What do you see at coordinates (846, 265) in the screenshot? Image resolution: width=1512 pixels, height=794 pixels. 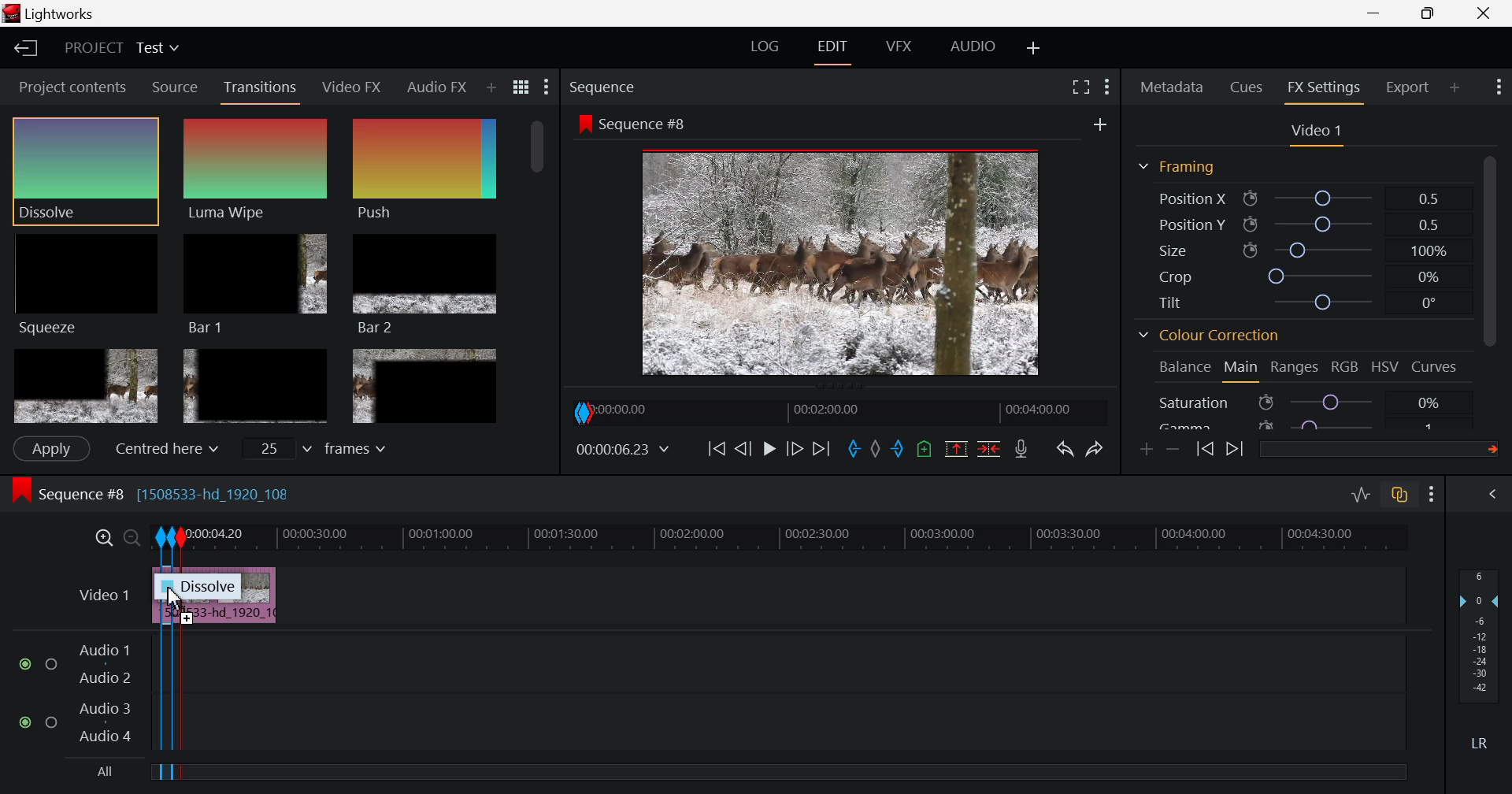 I see `Image` at bounding box center [846, 265].